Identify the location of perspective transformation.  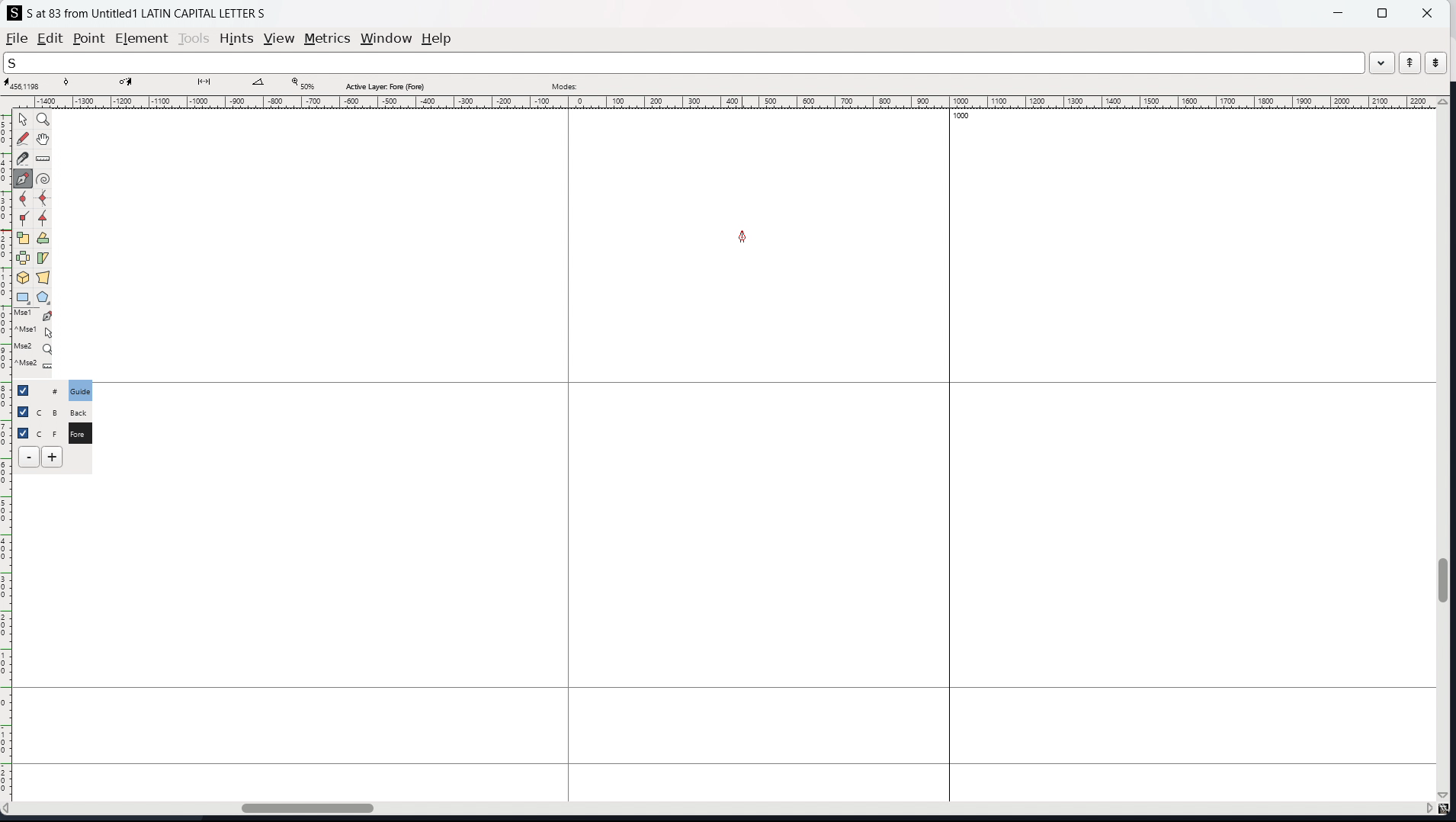
(43, 278).